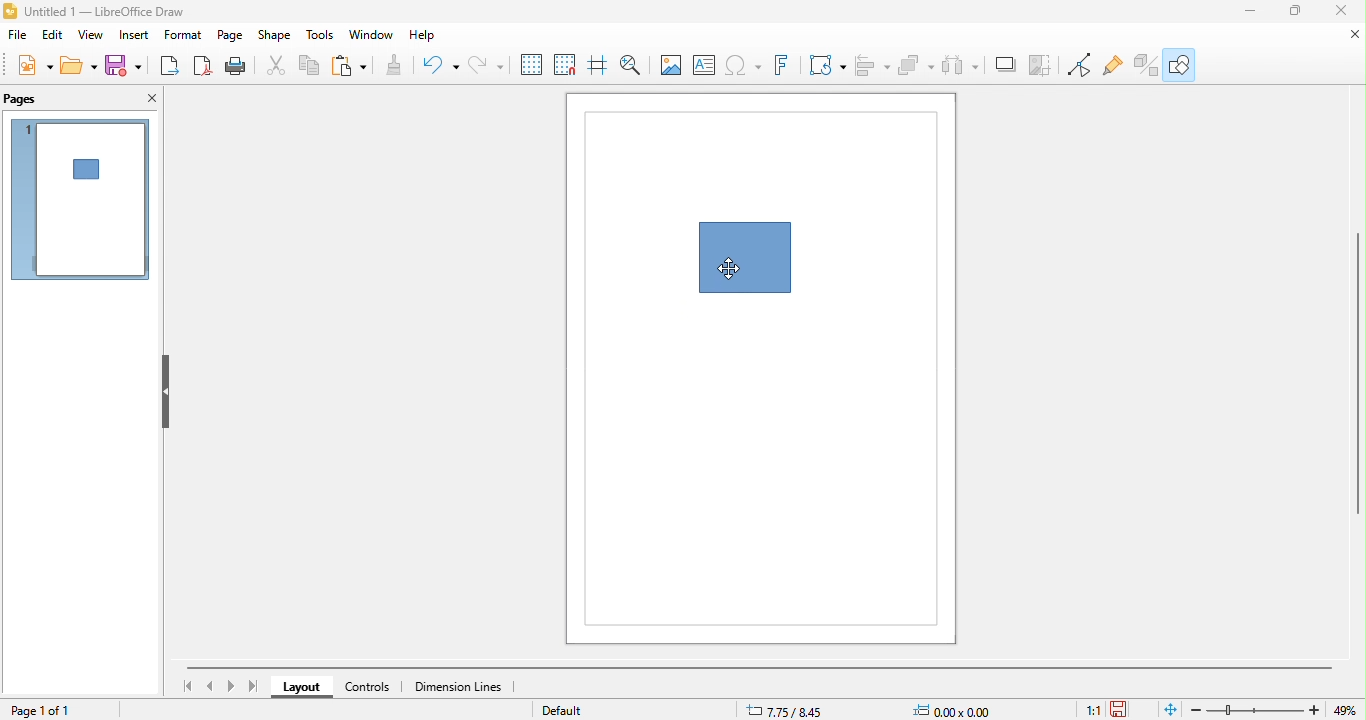 Image resolution: width=1366 pixels, height=720 pixels. I want to click on view, so click(92, 36).